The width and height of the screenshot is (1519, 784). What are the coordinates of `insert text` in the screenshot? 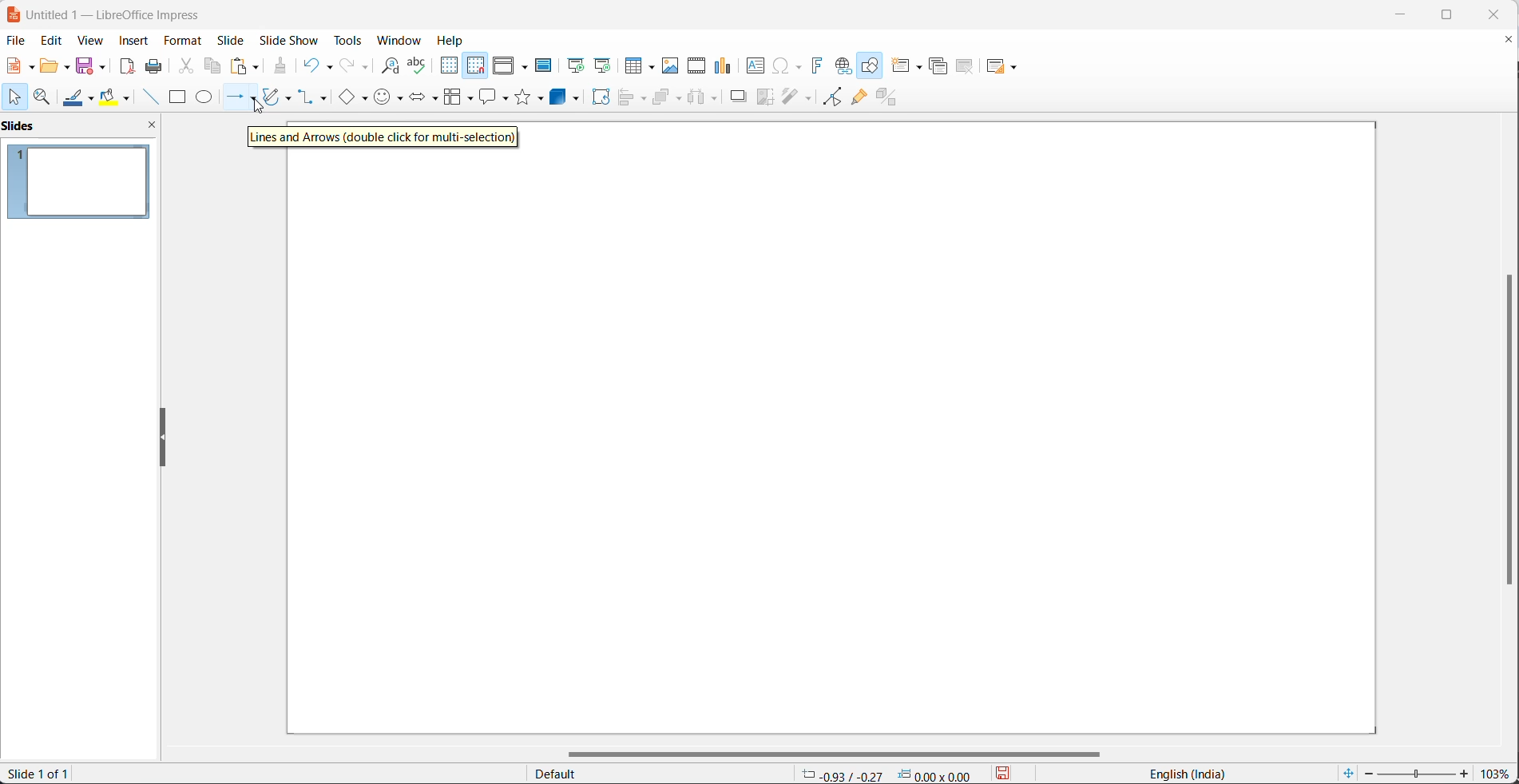 It's located at (752, 65).